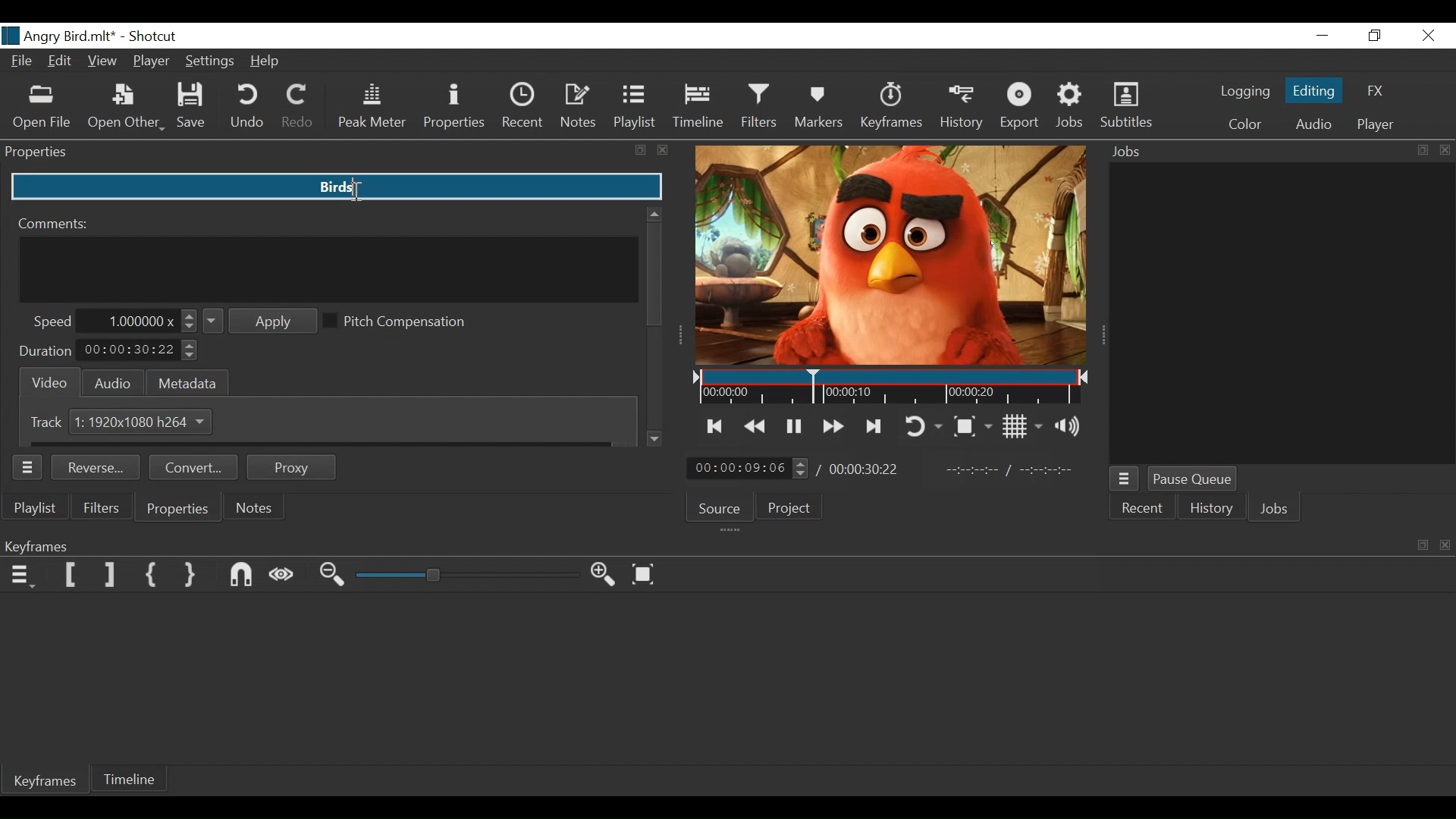 This screenshot has width=1456, height=819. I want to click on Open Other, so click(127, 108).